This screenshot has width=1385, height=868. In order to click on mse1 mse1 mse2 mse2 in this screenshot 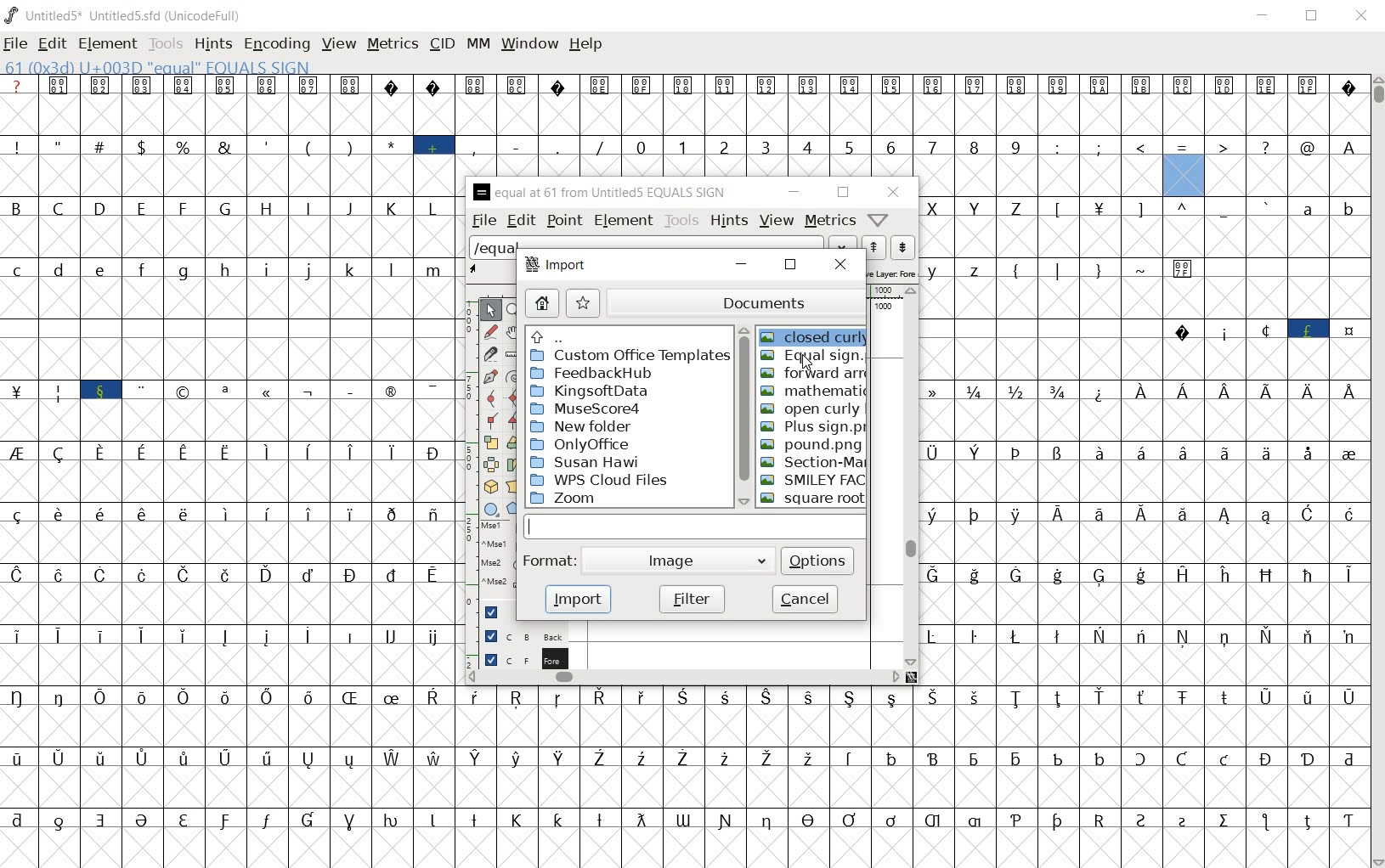, I will do `click(490, 558)`.